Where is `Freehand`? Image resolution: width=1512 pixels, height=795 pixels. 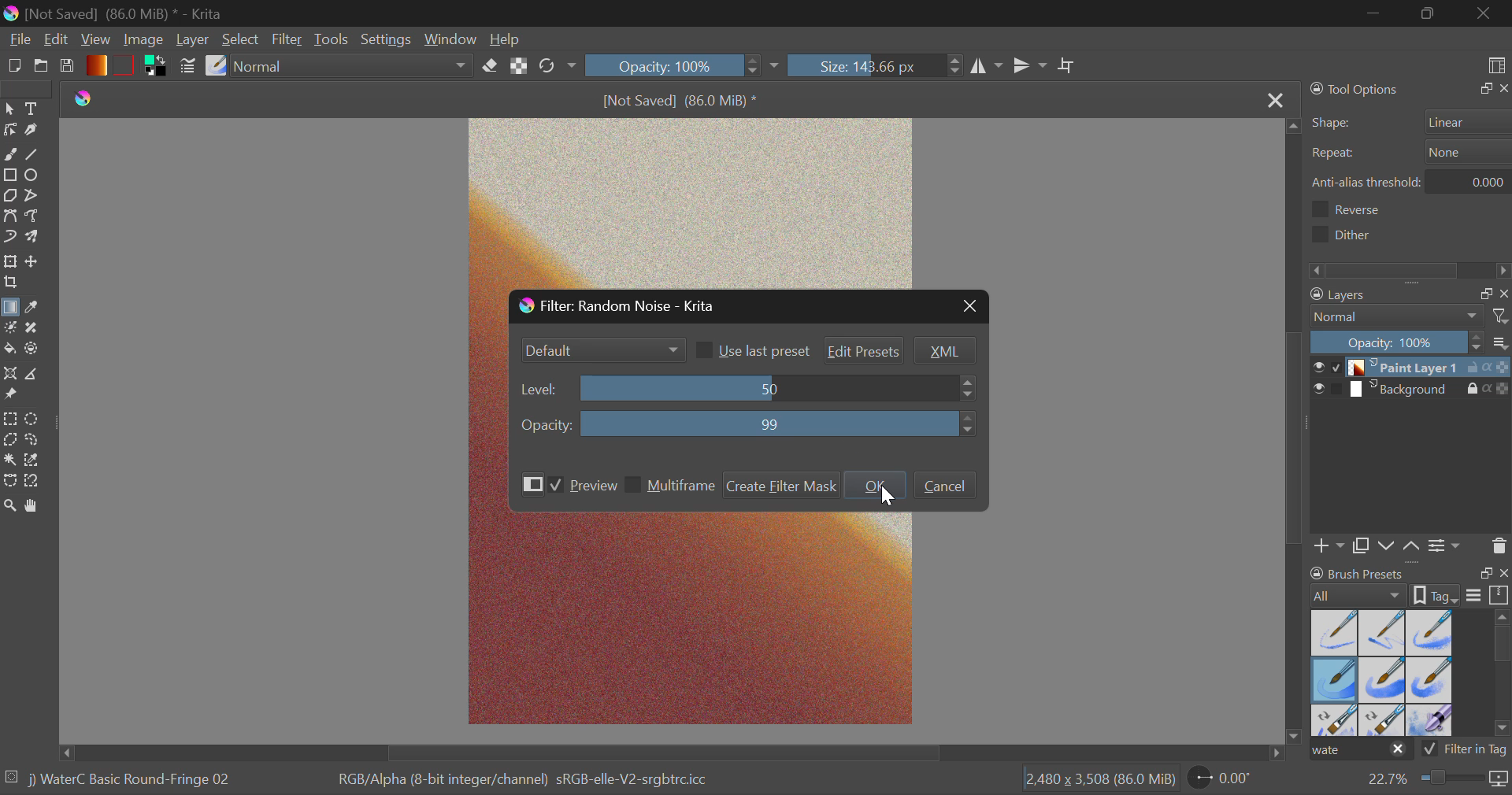
Freehand is located at coordinates (11, 154).